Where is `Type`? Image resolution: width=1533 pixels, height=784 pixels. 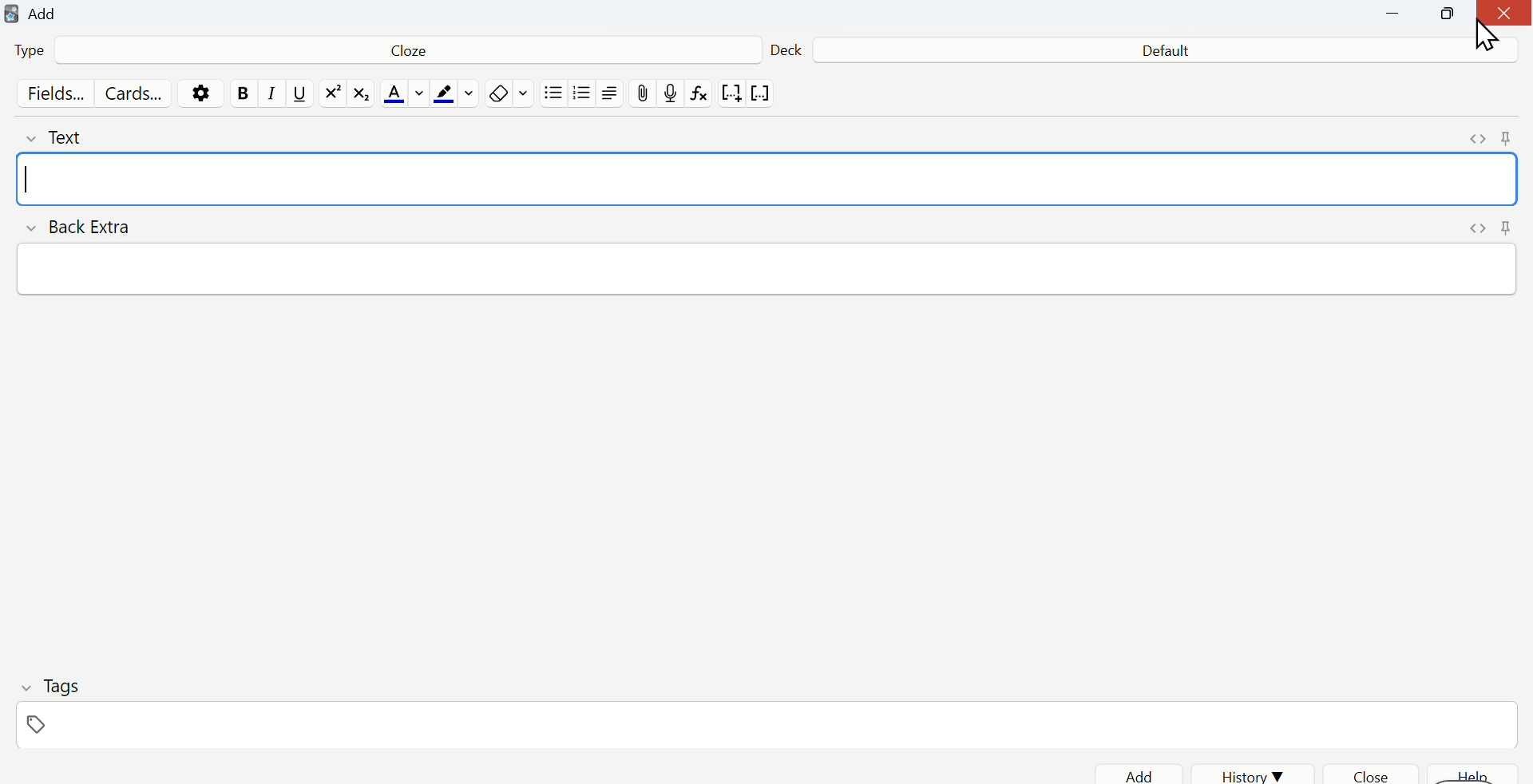
Type is located at coordinates (38, 53).